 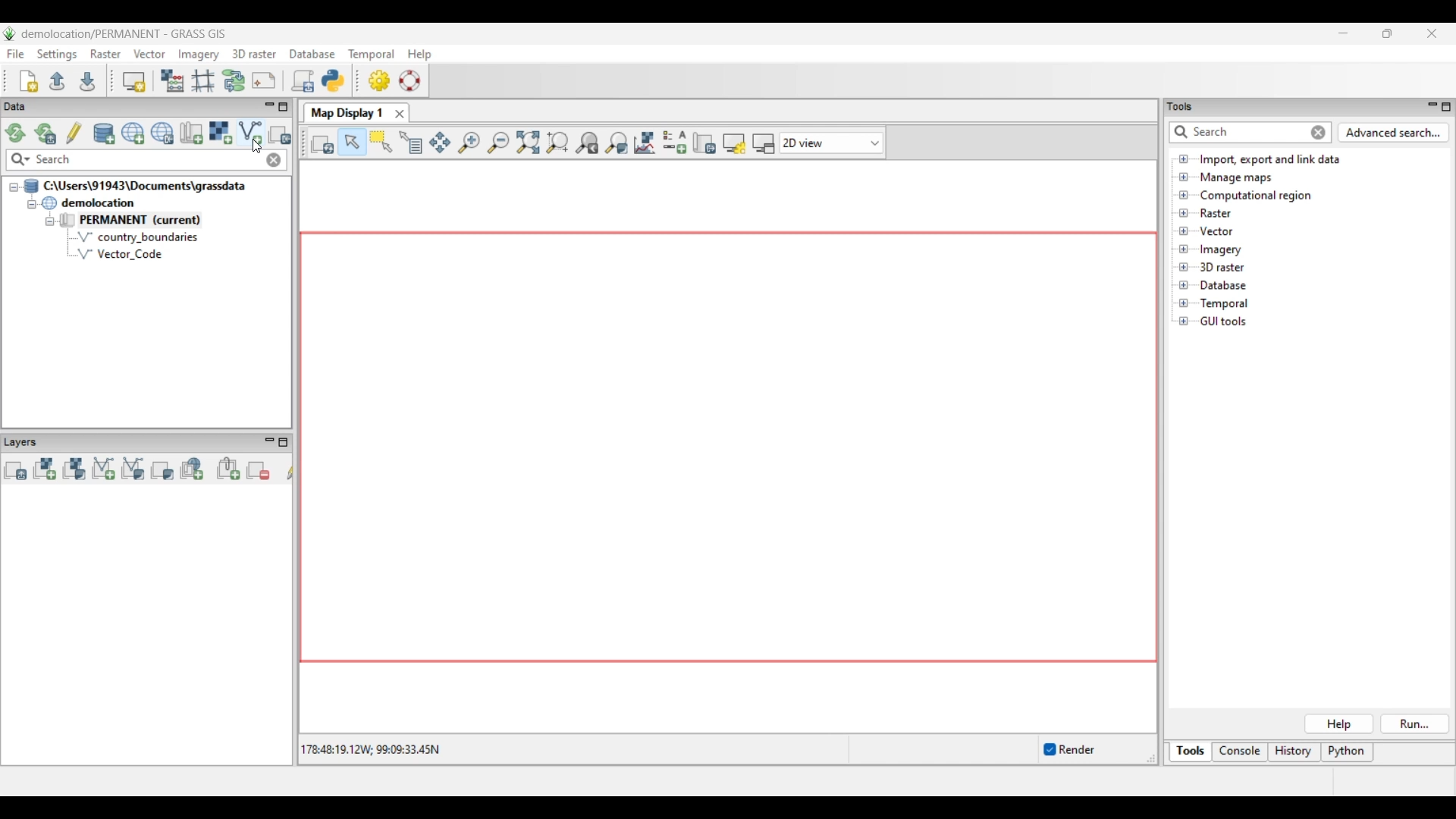 What do you see at coordinates (57, 55) in the screenshot?
I see `Settings menu` at bounding box center [57, 55].